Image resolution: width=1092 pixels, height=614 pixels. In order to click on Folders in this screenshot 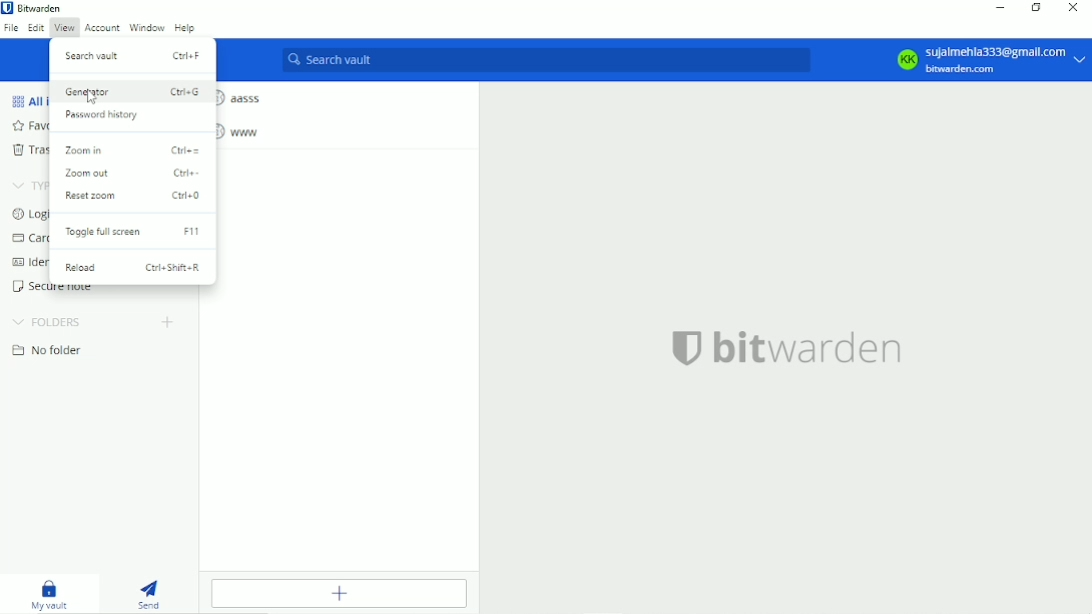, I will do `click(51, 321)`.